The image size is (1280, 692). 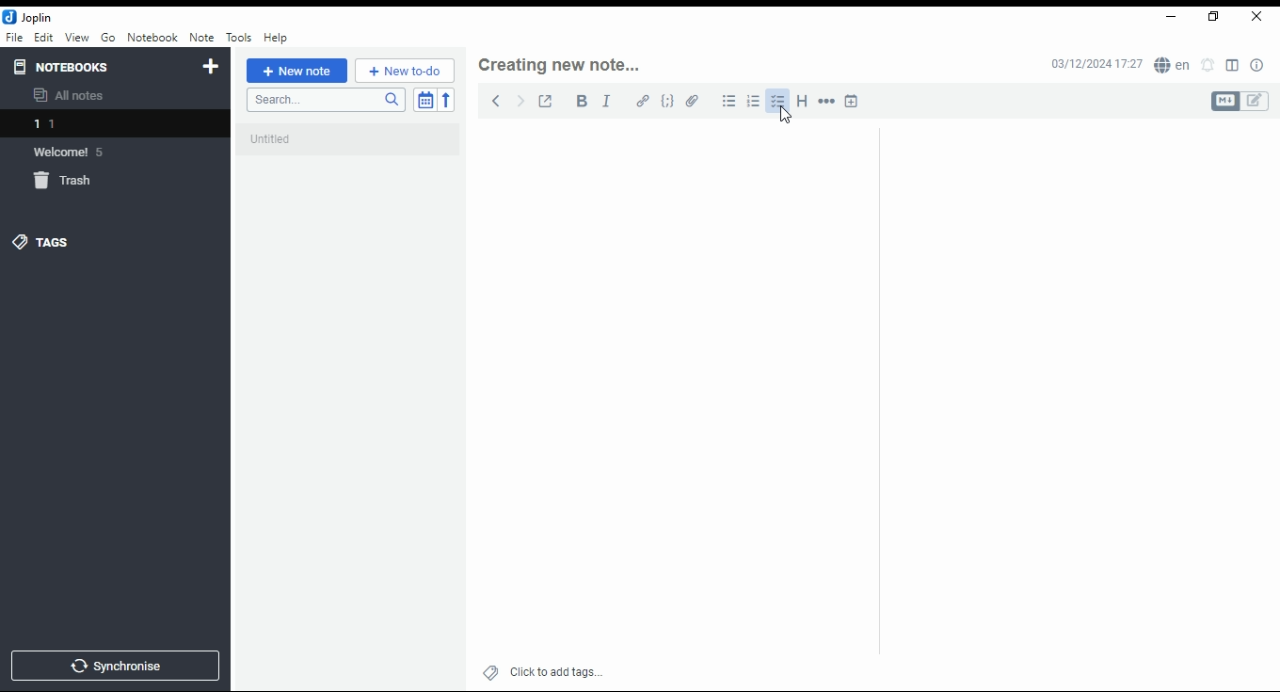 What do you see at coordinates (73, 67) in the screenshot?
I see `notebooks` at bounding box center [73, 67].